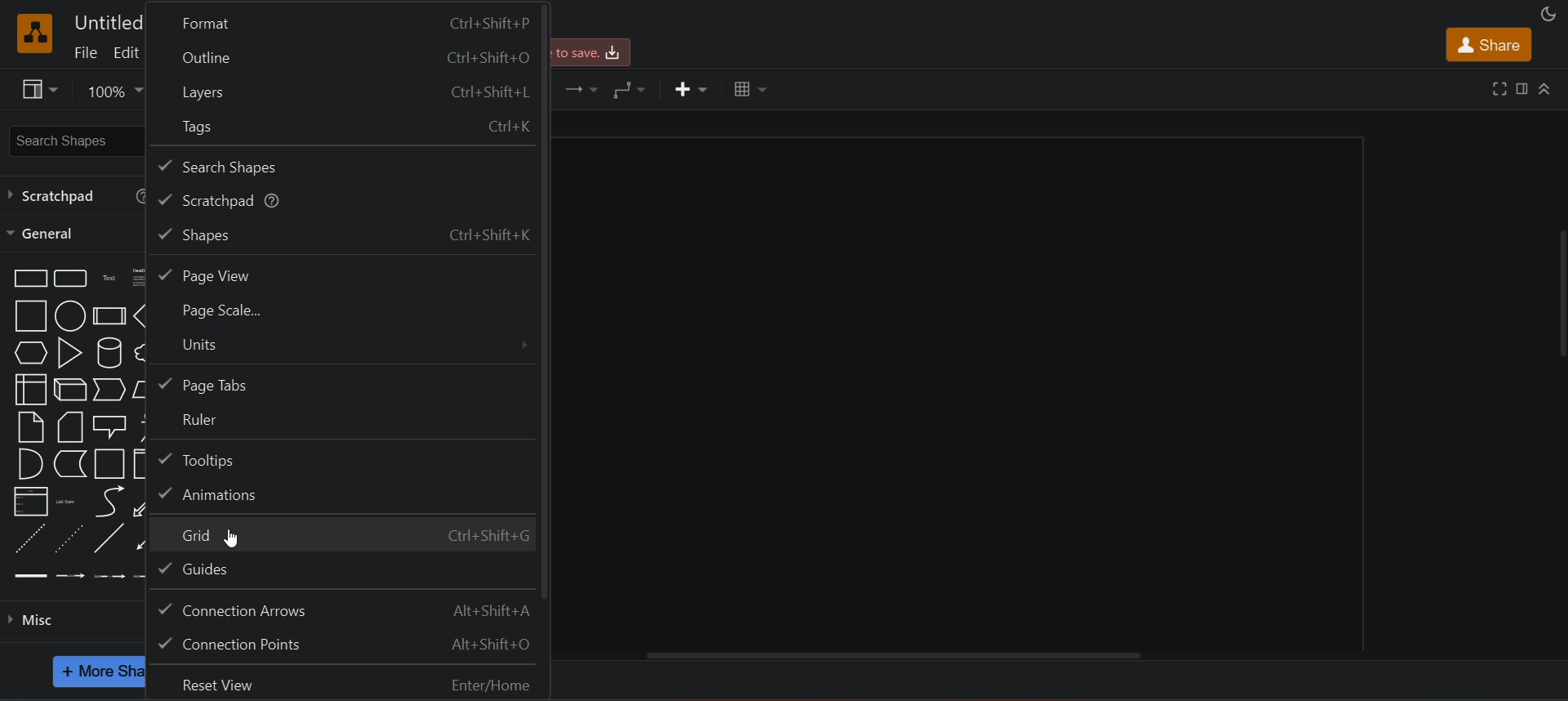 This screenshot has height=701, width=1568. Describe the element at coordinates (346, 574) in the screenshot. I see `guides` at that location.